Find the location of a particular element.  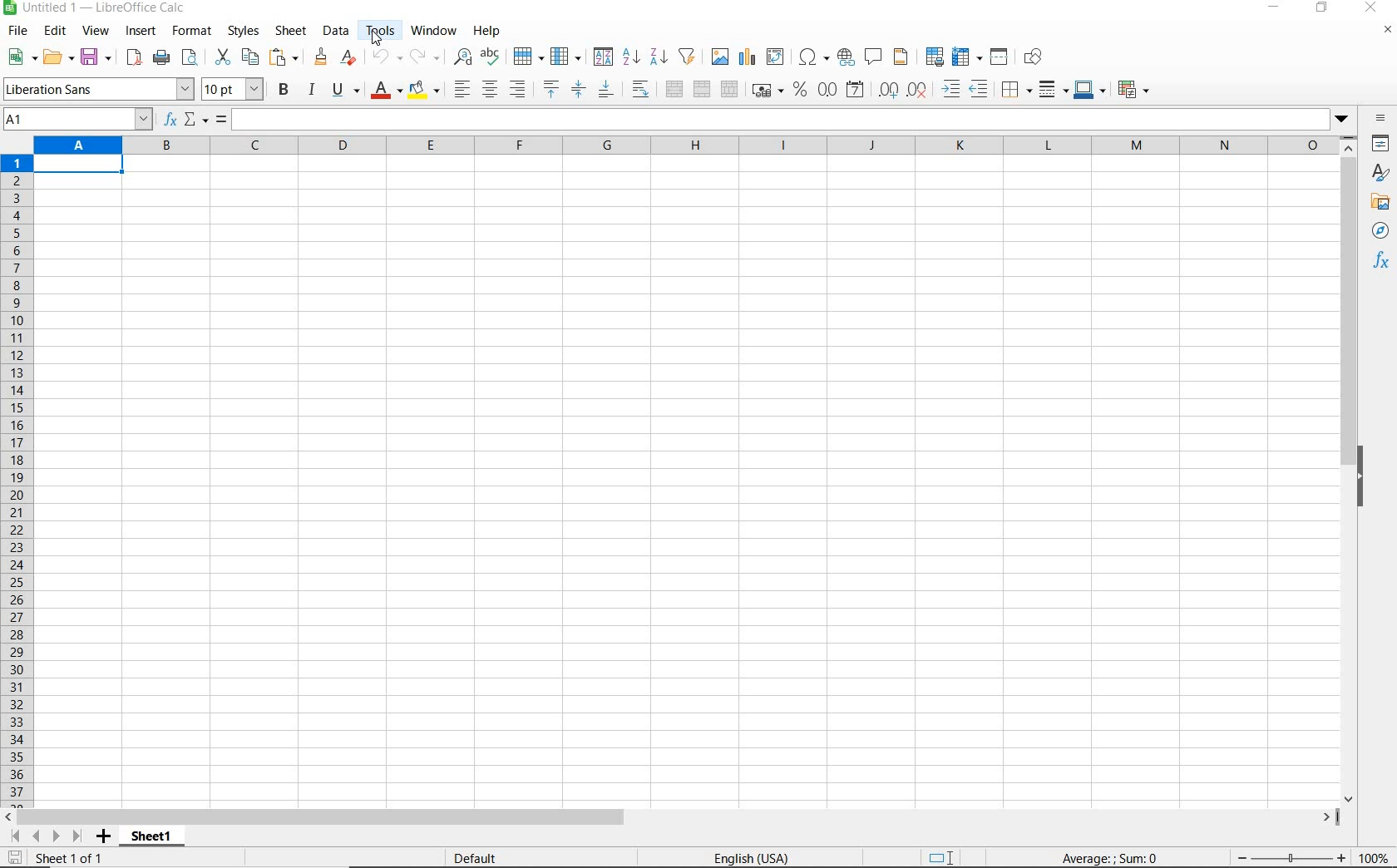

row is located at coordinates (525, 55).